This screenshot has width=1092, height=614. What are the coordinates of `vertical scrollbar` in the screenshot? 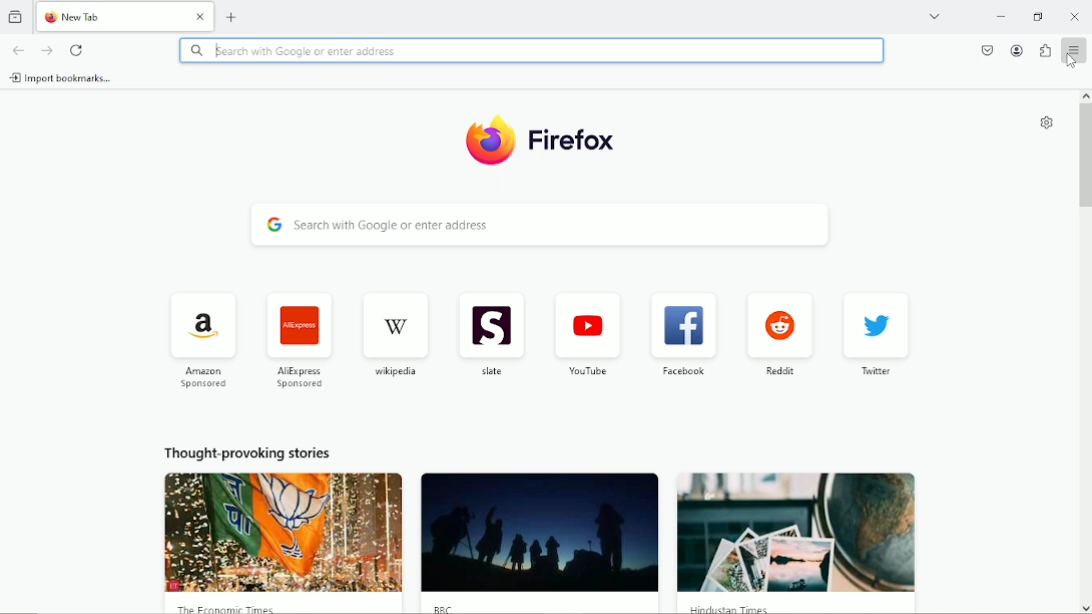 It's located at (1083, 157).